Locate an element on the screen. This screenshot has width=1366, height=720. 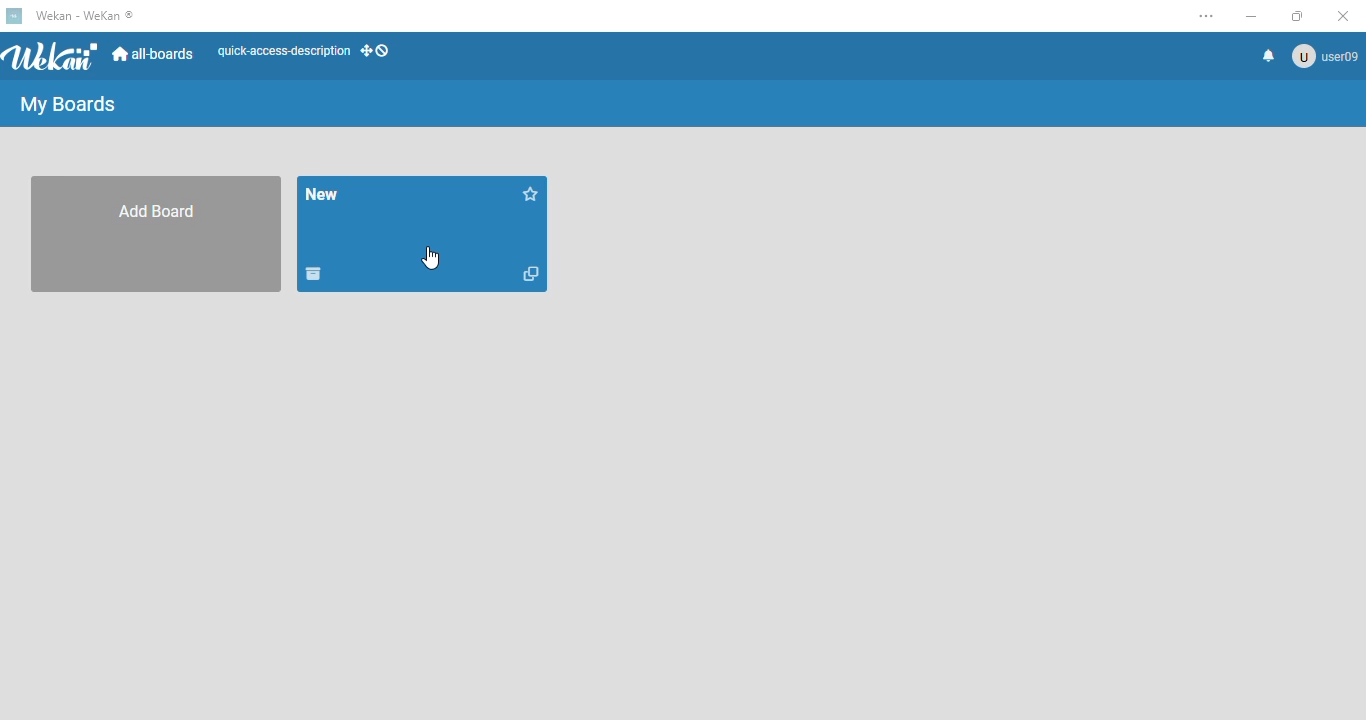
my boards is located at coordinates (67, 105).